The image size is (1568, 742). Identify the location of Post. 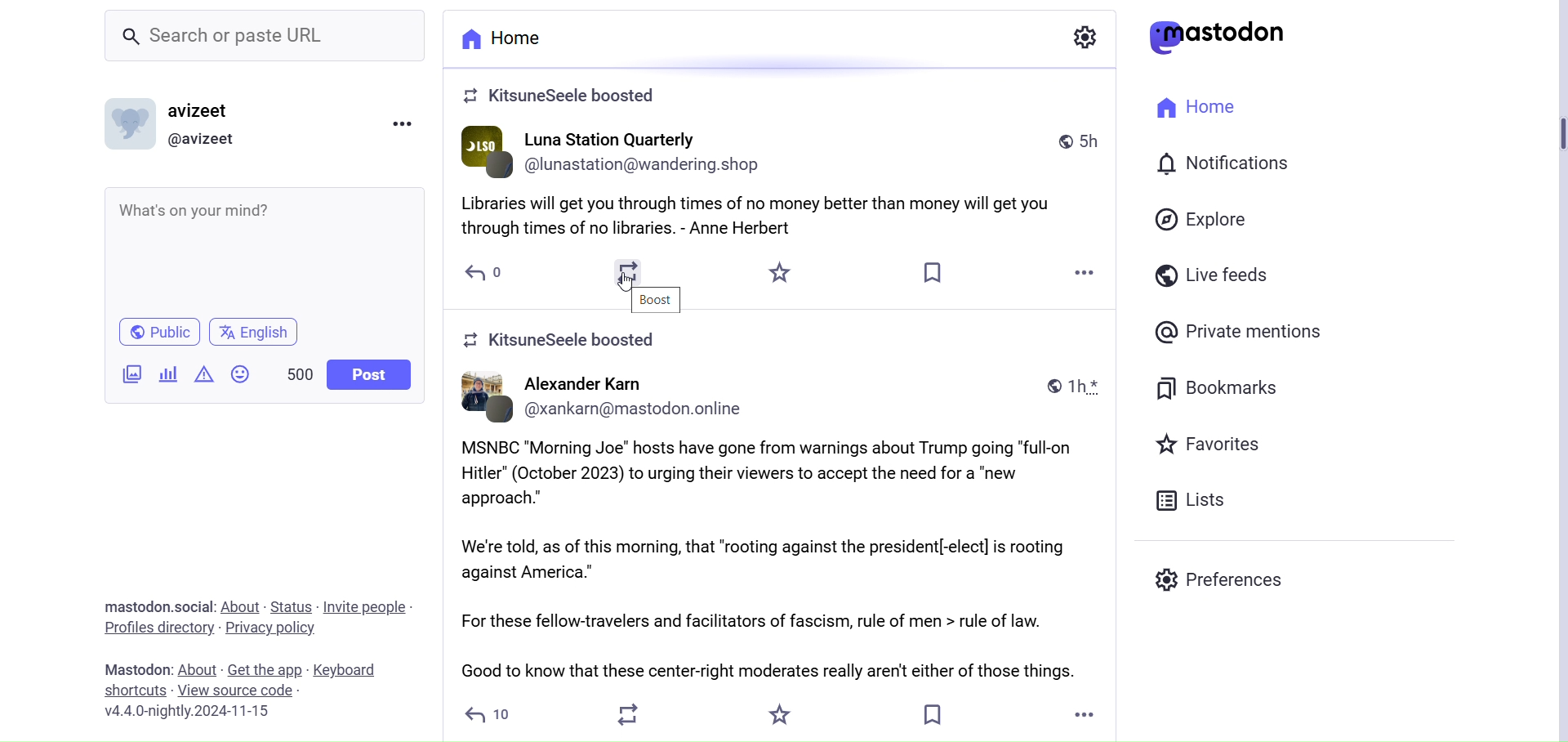
(367, 374).